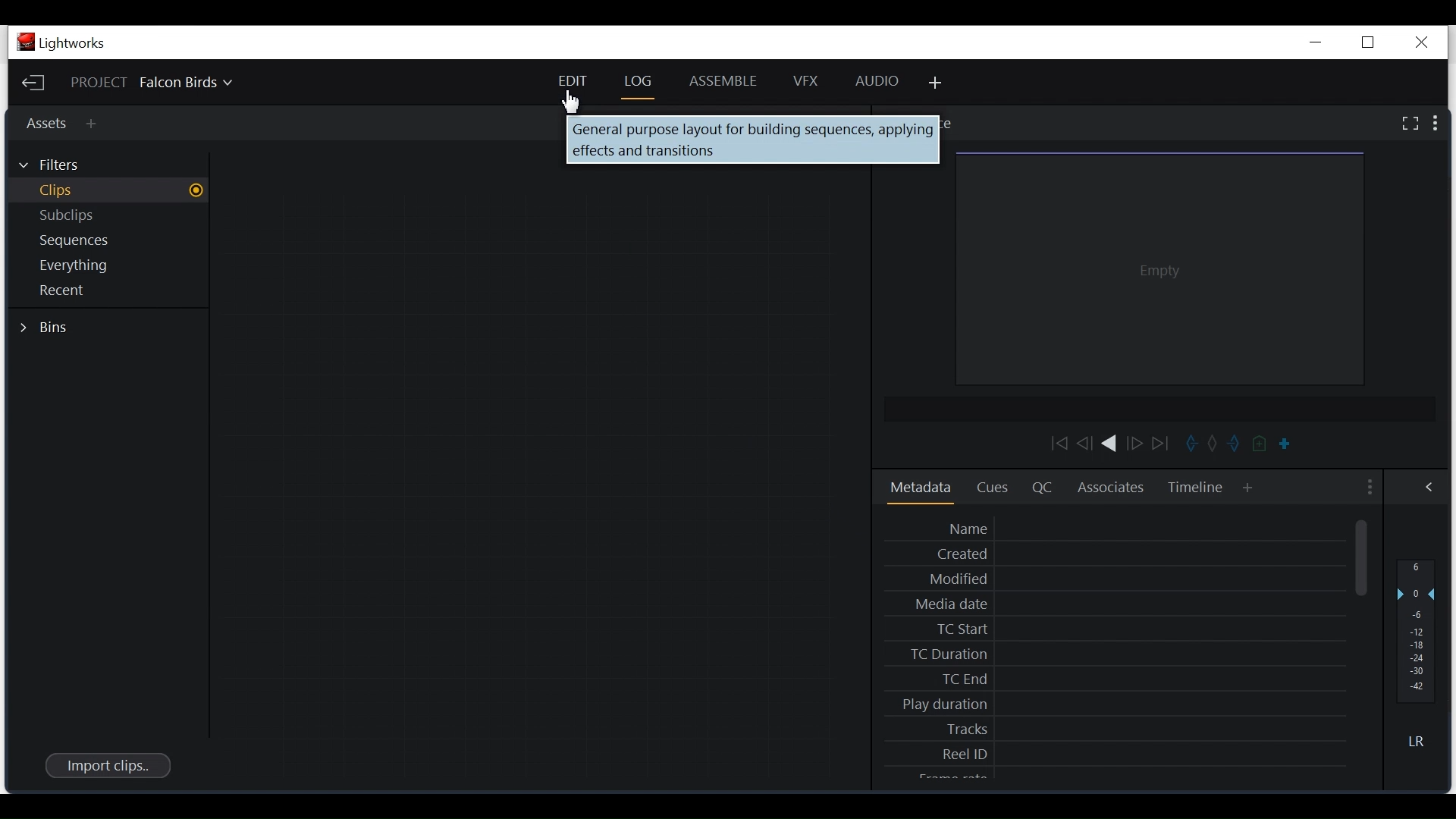  What do you see at coordinates (752, 141) in the screenshot?
I see `Clip Thumbnail` at bounding box center [752, 141].